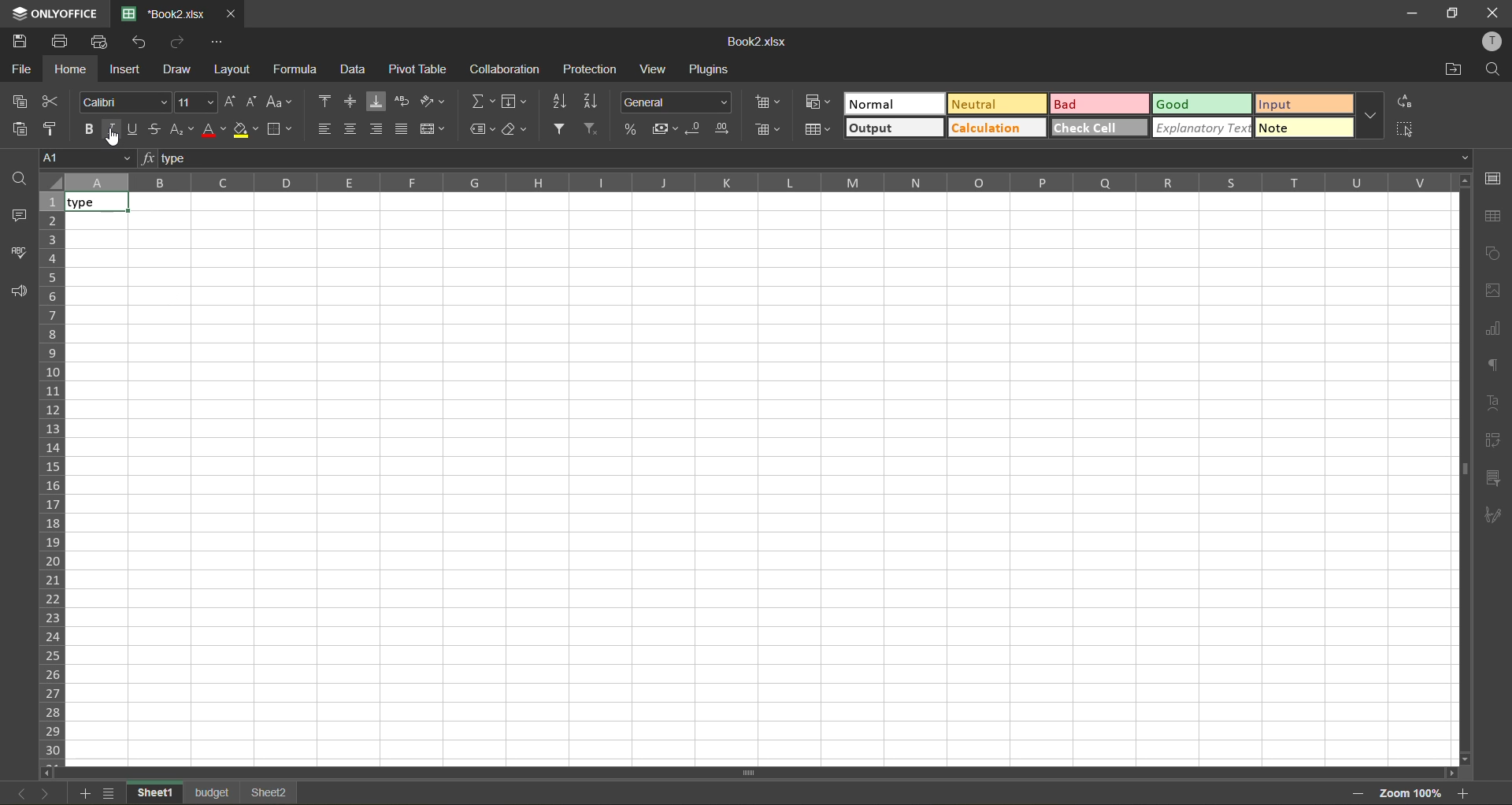 This screenshot has height=805, width=1512. Describe the element at coordinates (1304, 103) in the screenshot. I see `input` at that location.